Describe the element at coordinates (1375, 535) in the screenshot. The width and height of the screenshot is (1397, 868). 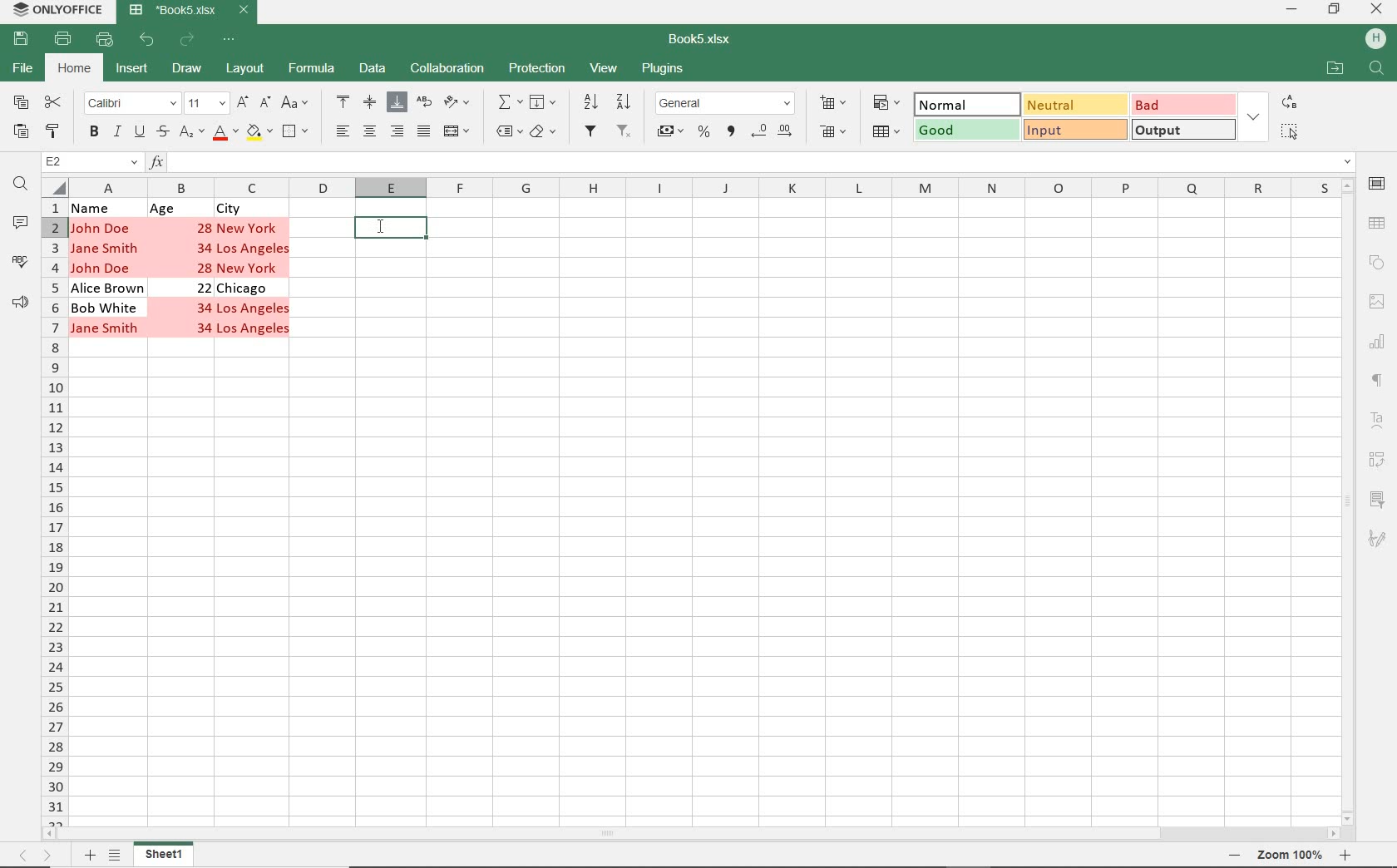
I see `SIGNATURE` at that location.